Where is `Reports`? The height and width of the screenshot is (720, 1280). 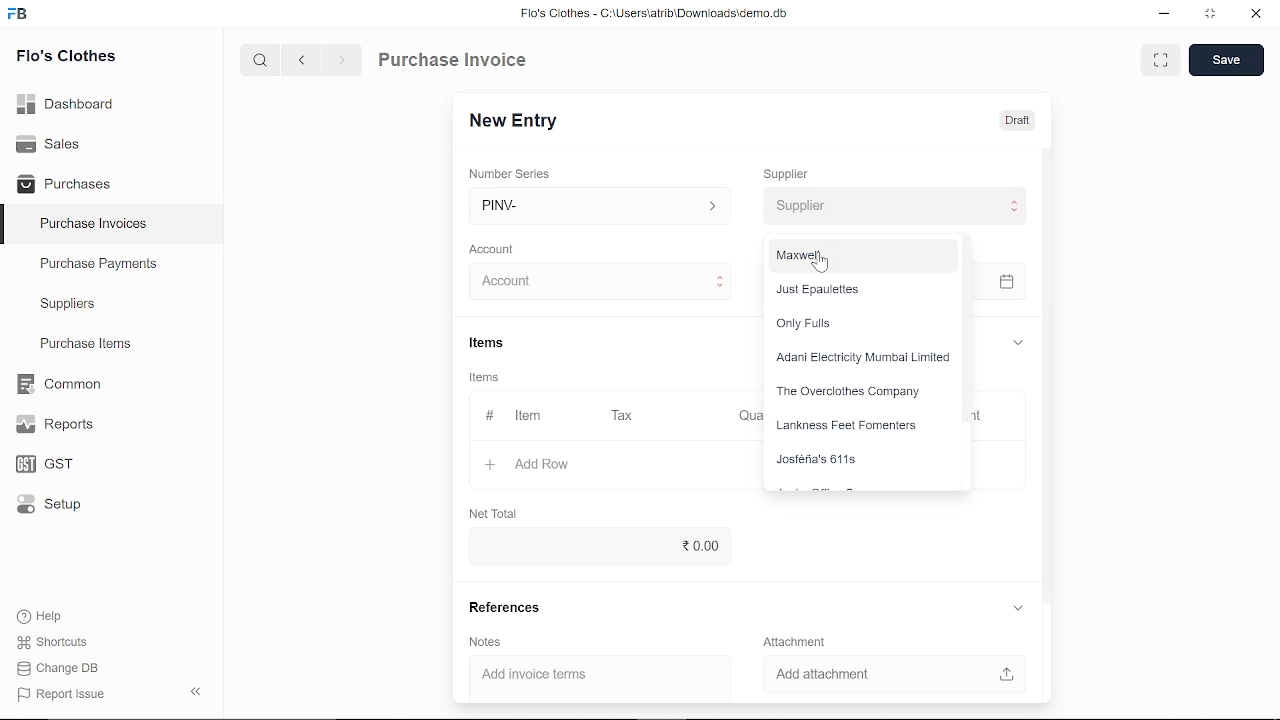
Reports is located at coordinates (54, 425).